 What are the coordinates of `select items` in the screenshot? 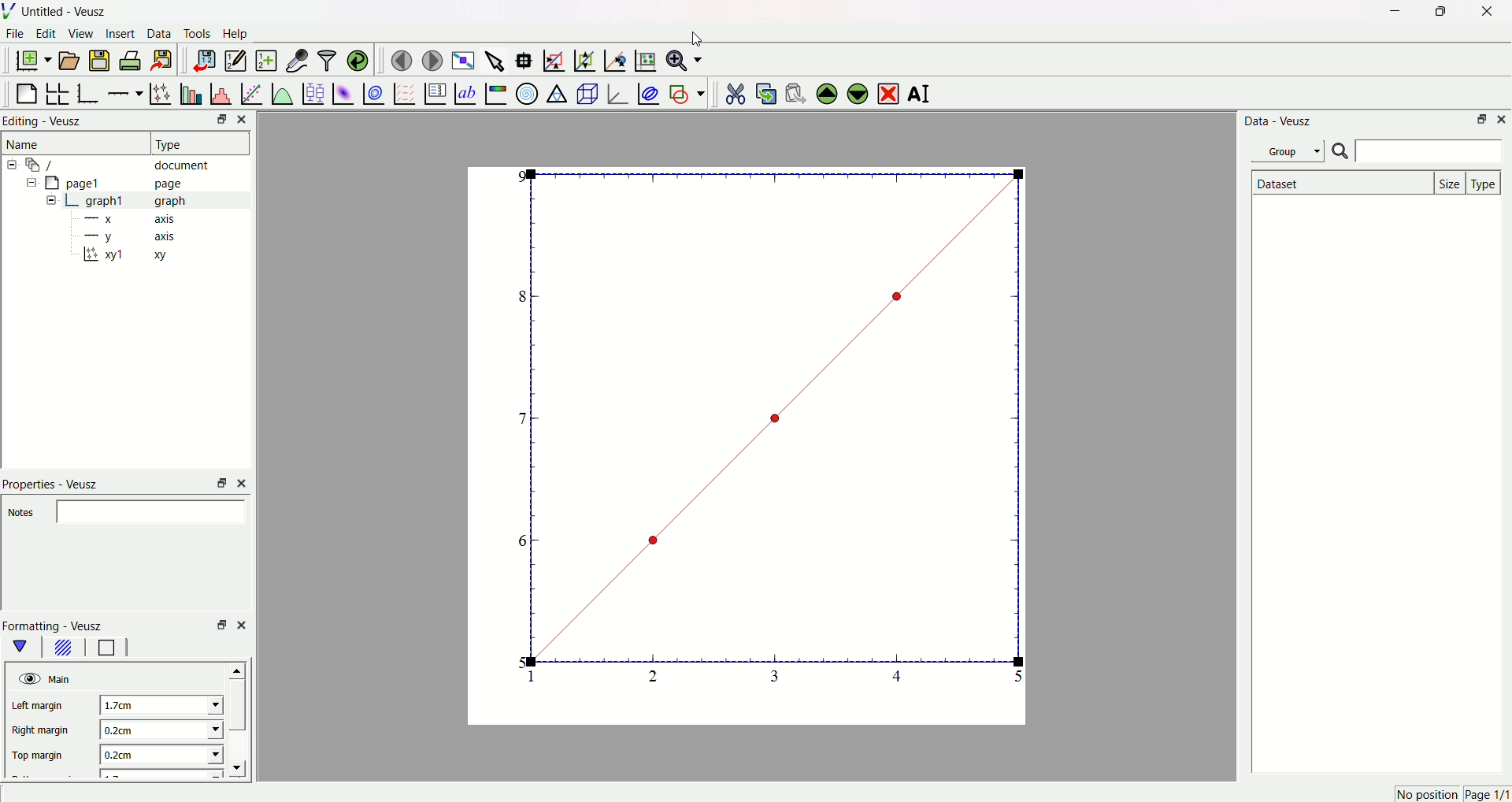 It's located at (496, 58).